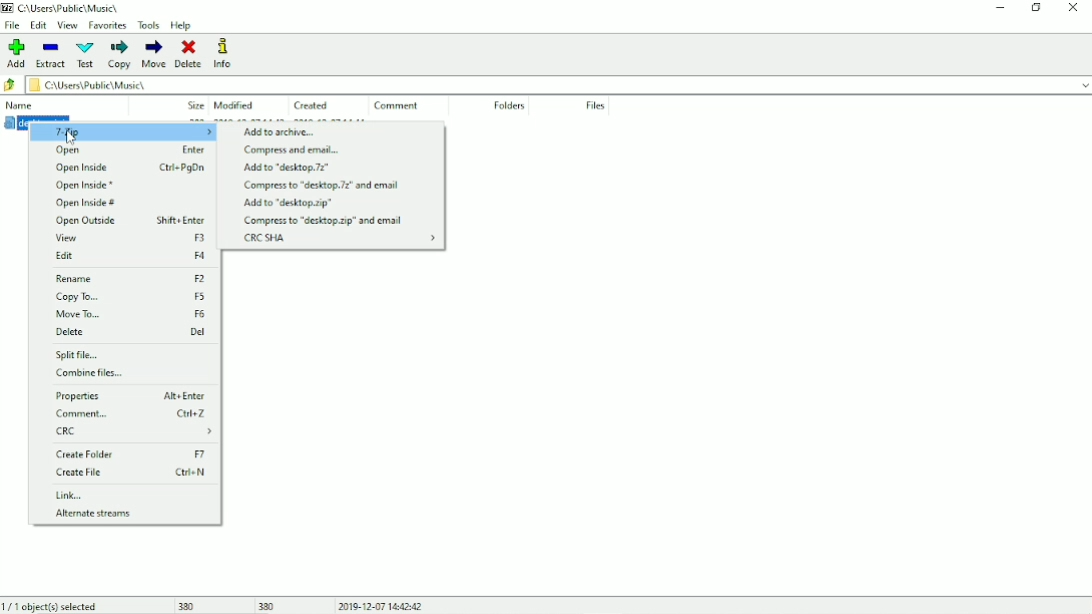  Describe the element at coordinates (53, 605) in the screenshot. I see `1/1 object(s) selected` at that location.